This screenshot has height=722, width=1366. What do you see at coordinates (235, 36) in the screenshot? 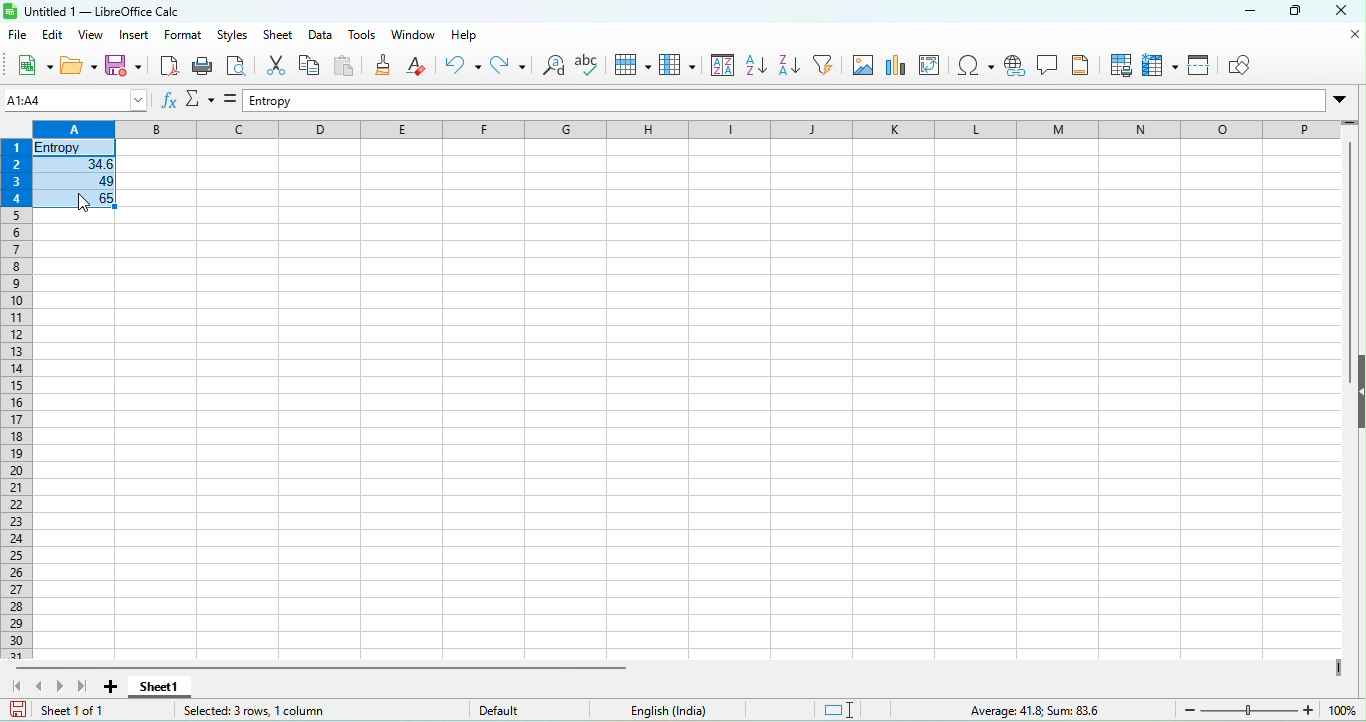
I see `styles` at bounding box center [235, 36].